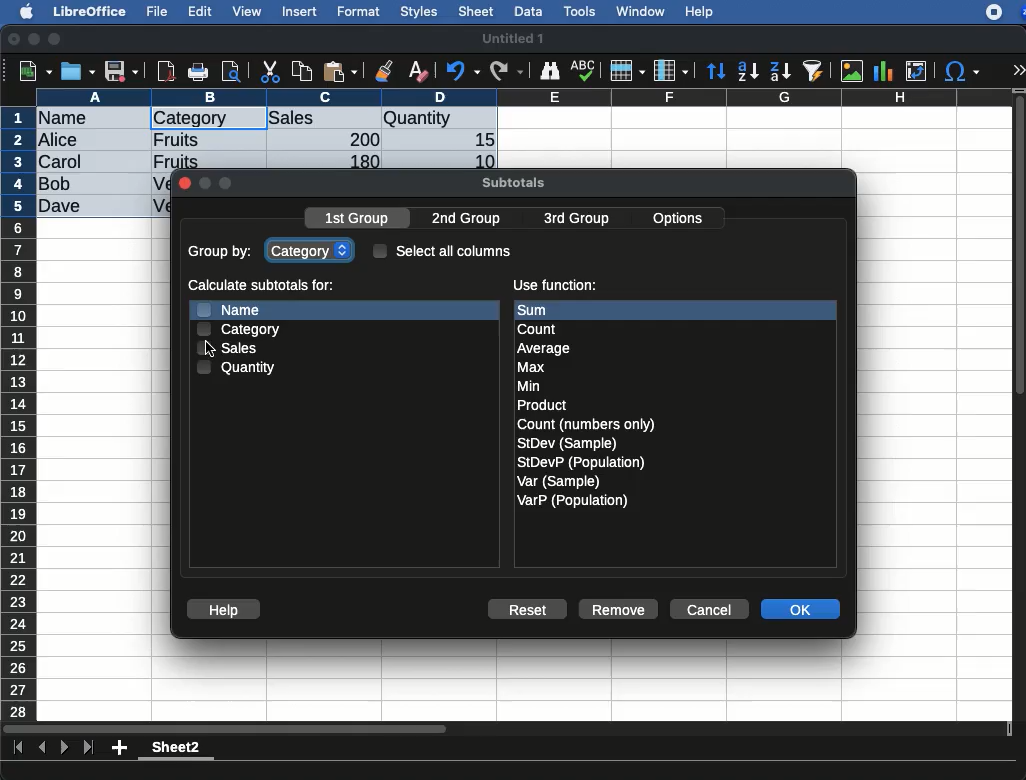 The image size is (1026, 780). Describe the element at coordinates (357, 162) in the screenshot. I see `180` at that location.